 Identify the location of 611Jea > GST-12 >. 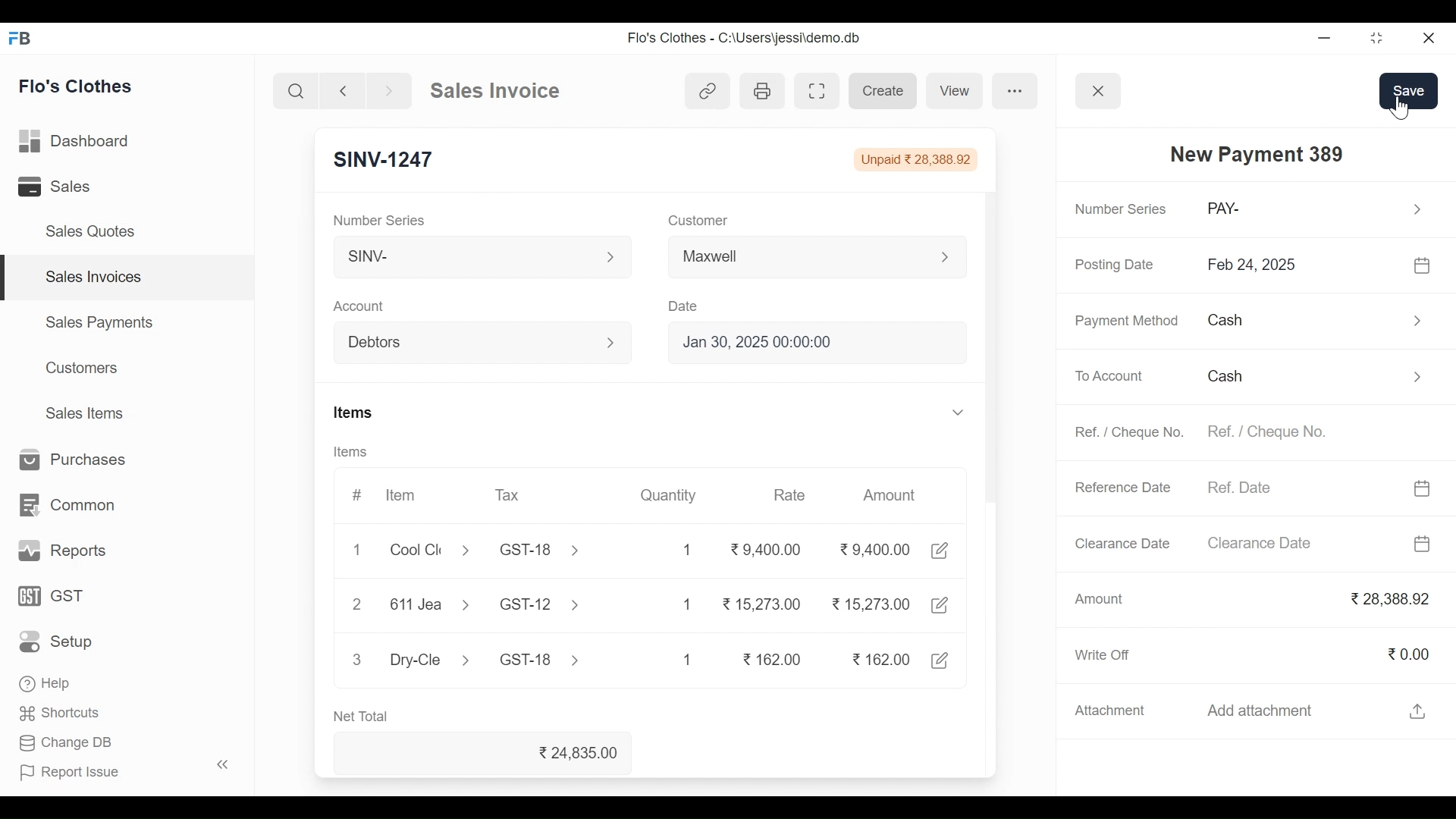
(493, 605).